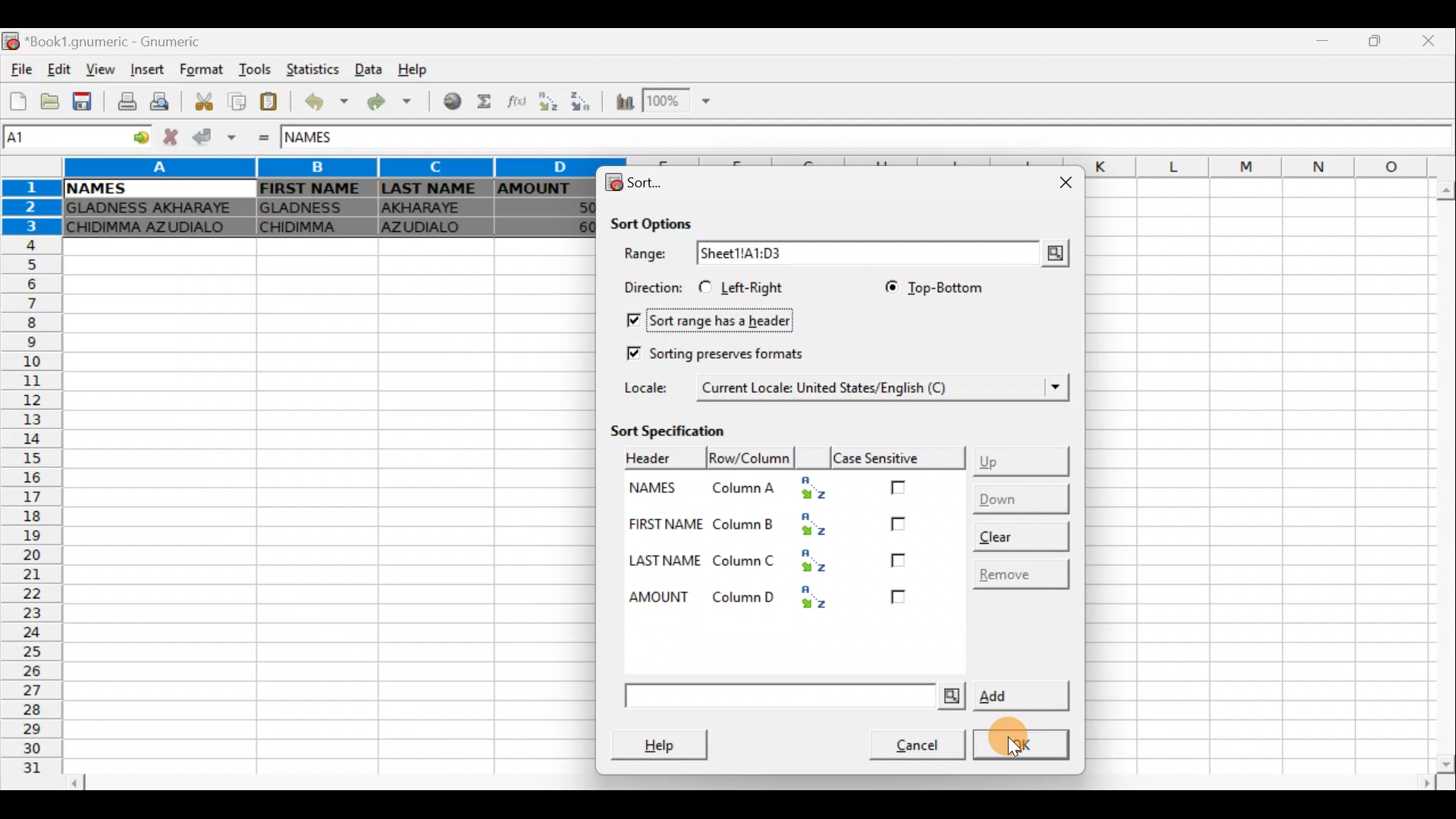 The height and width of the screenshot is (819, 1456). I want to click on Sorting preserves formats, so click(714, 350).